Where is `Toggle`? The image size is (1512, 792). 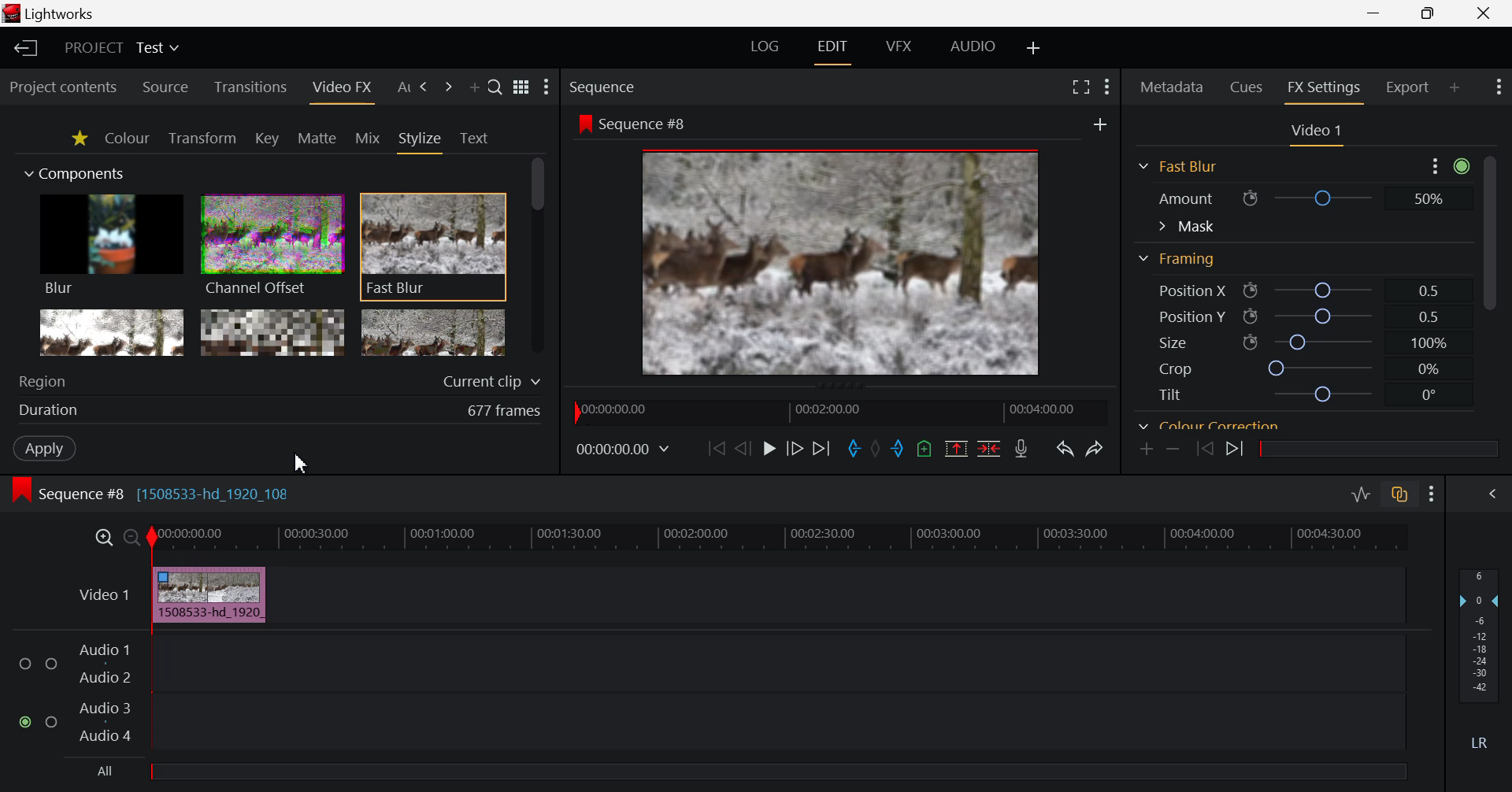 Toggle is located at coordinates (1464, 167).